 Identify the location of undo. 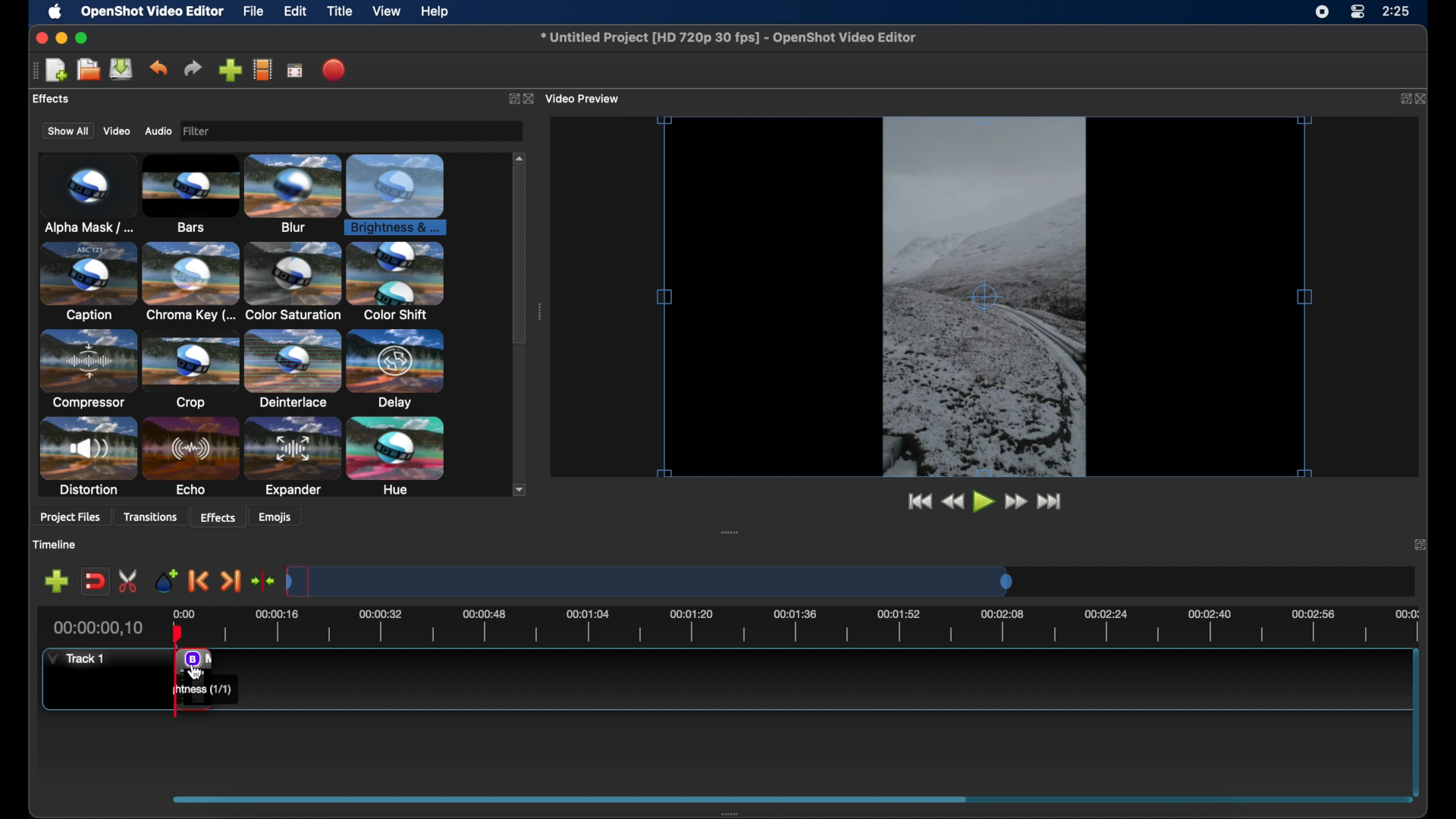
(158, 68).